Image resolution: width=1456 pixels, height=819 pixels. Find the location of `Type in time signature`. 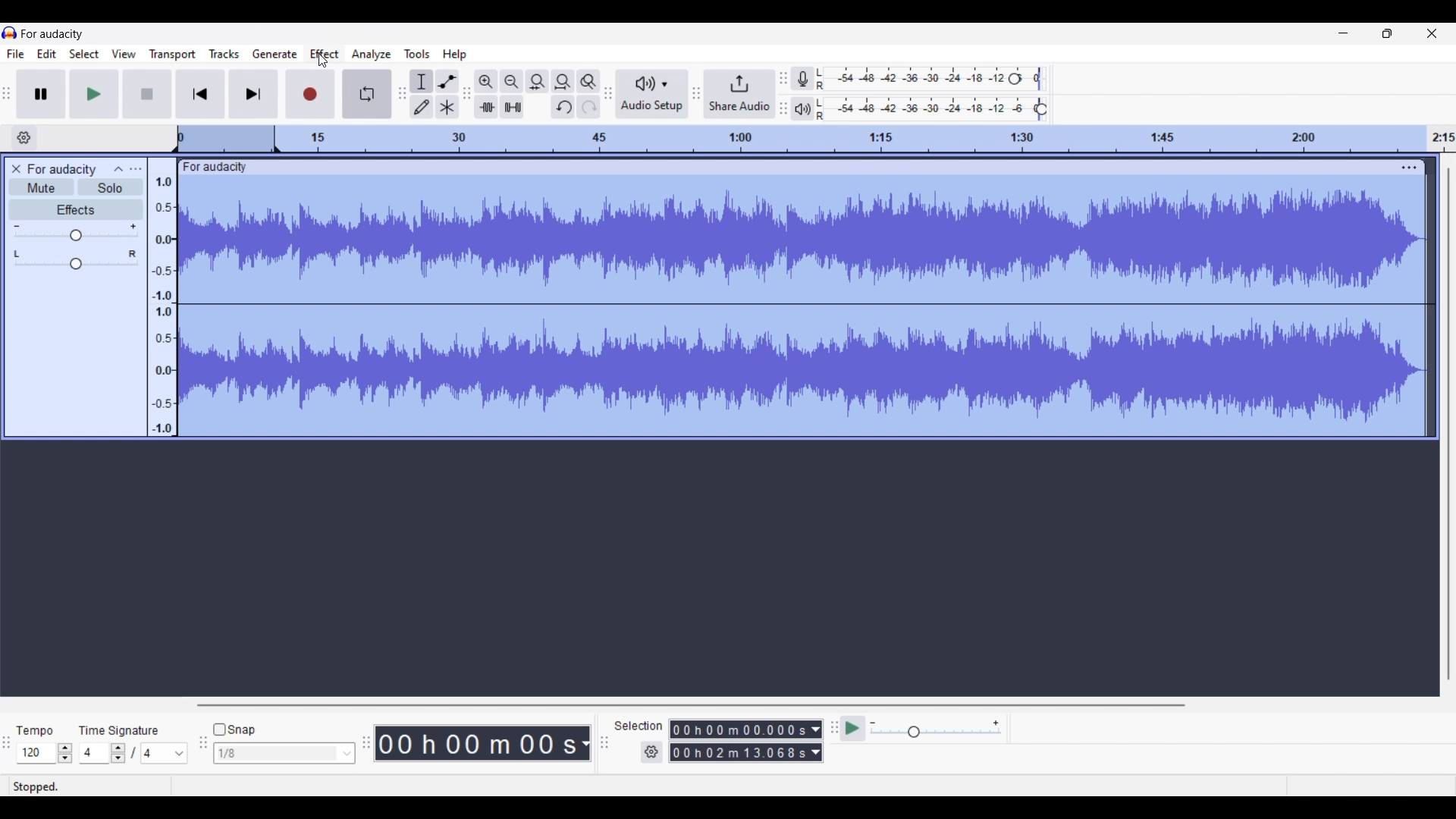

Type in time signature is located at coordinates (96, 754).